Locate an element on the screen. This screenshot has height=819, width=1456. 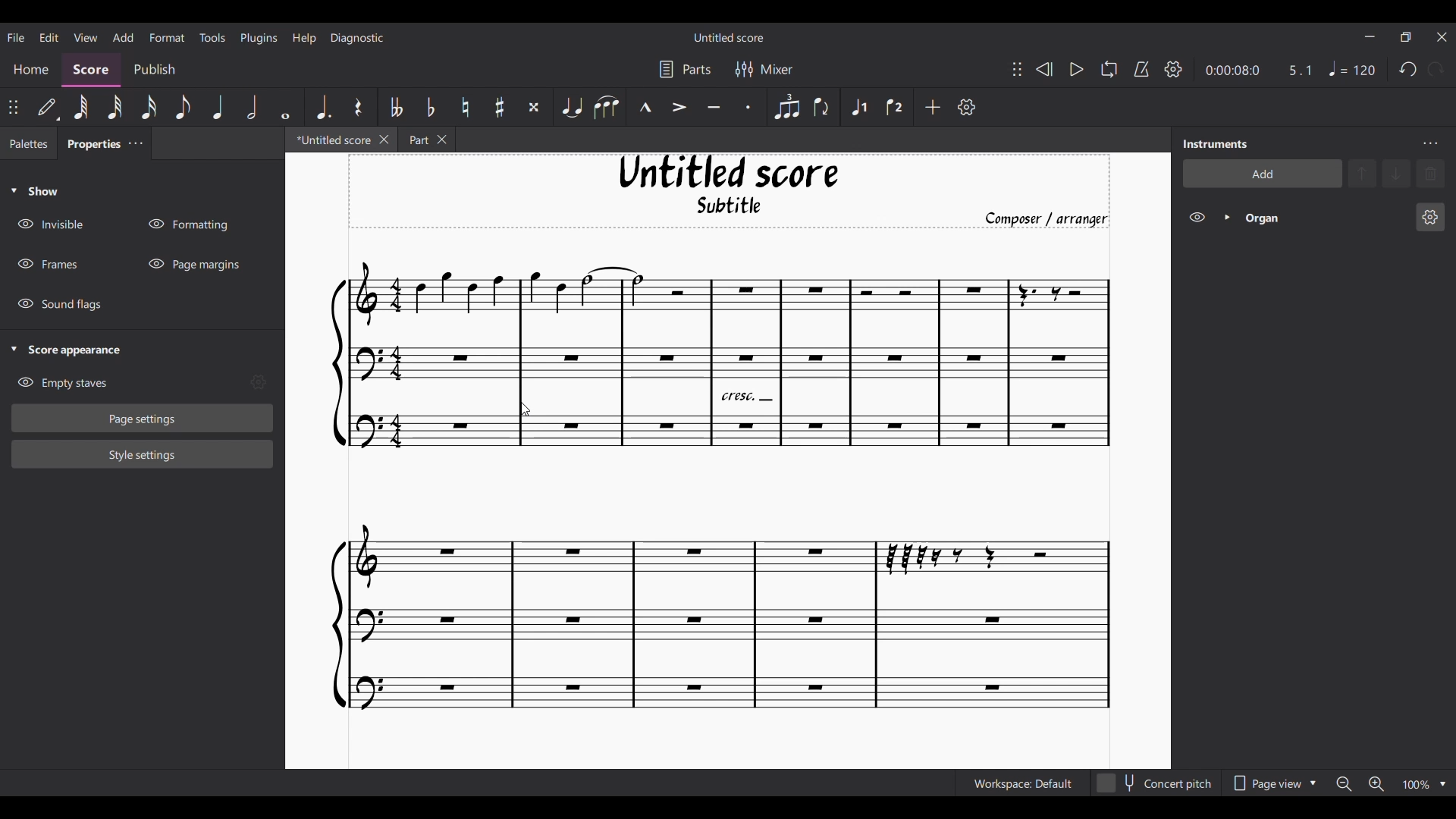
8th note is located at coordinates (181, 108).